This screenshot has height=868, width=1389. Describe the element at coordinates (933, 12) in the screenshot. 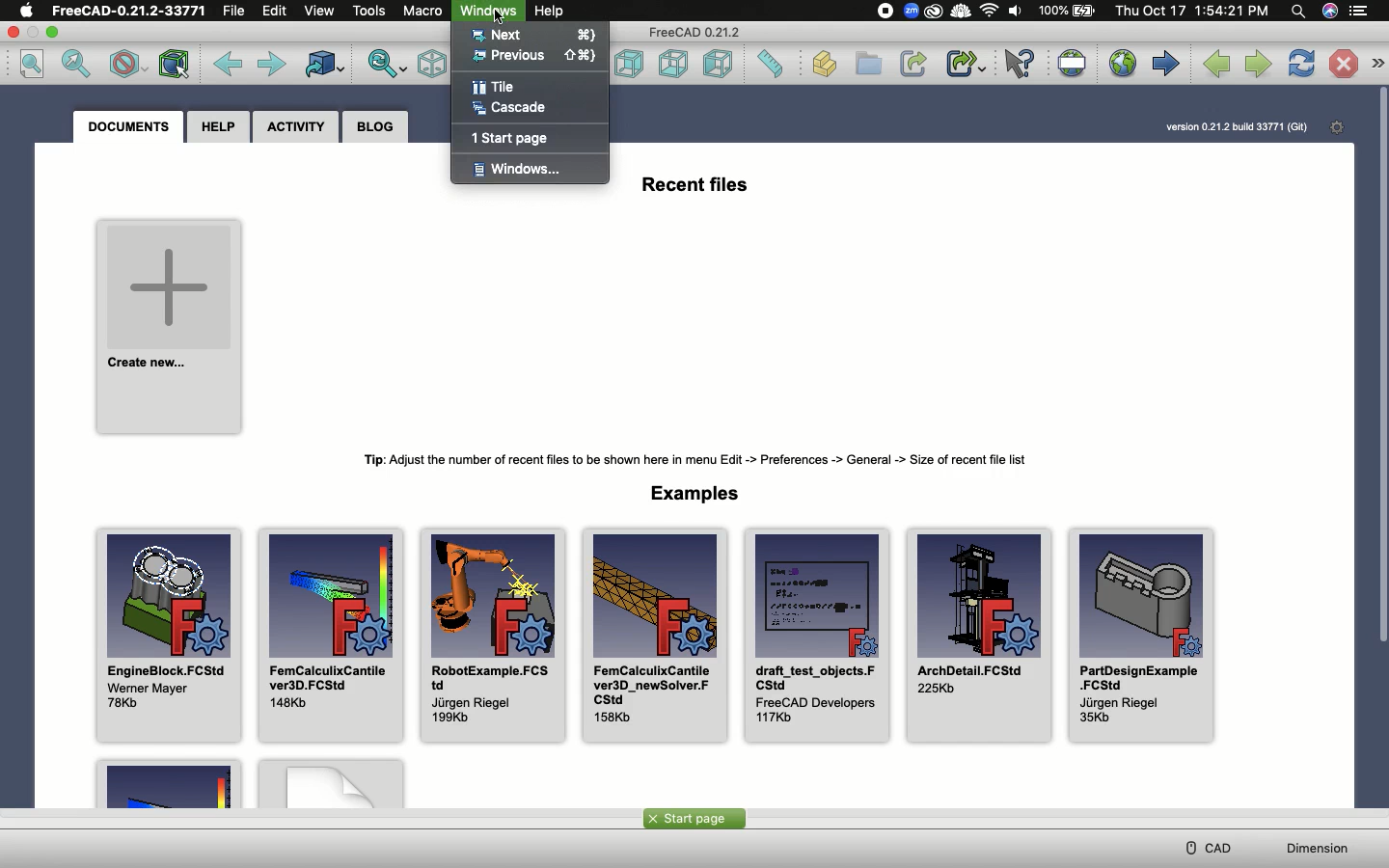

I see `Extension` at that location.